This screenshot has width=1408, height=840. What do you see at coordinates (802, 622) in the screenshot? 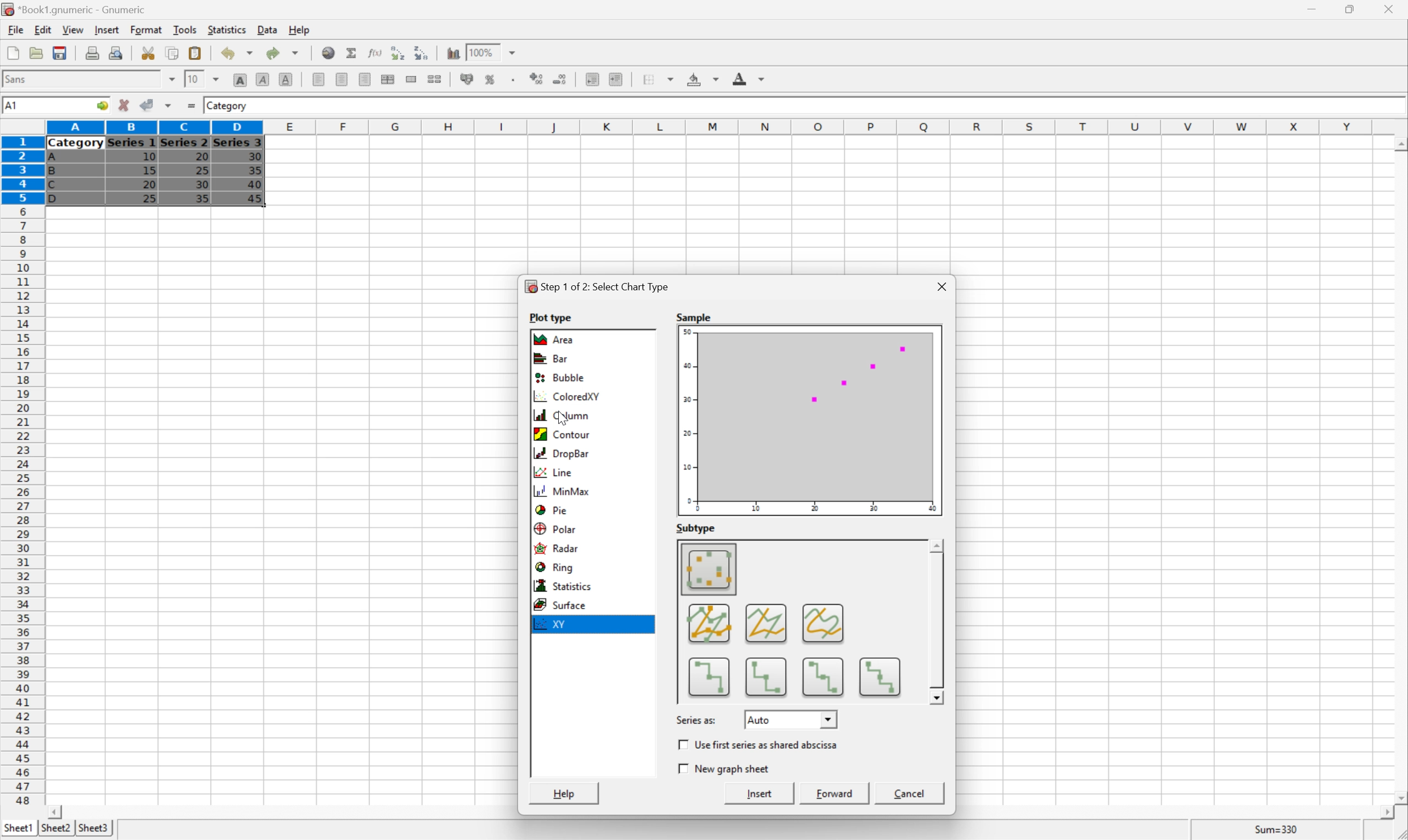
I see `Subtype` at bounding box center [802, 622].